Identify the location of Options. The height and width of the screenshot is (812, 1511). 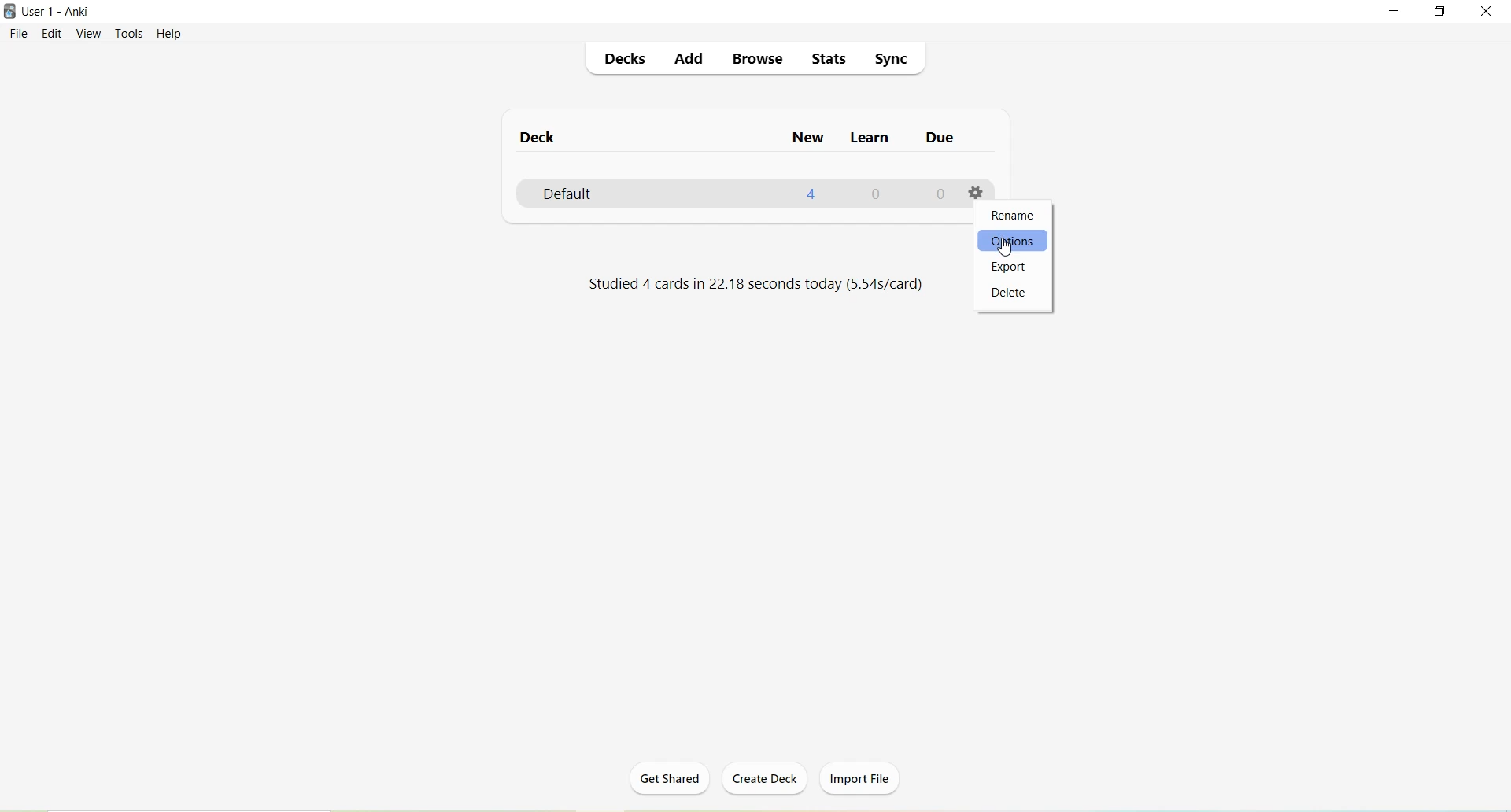
(1013, 240).